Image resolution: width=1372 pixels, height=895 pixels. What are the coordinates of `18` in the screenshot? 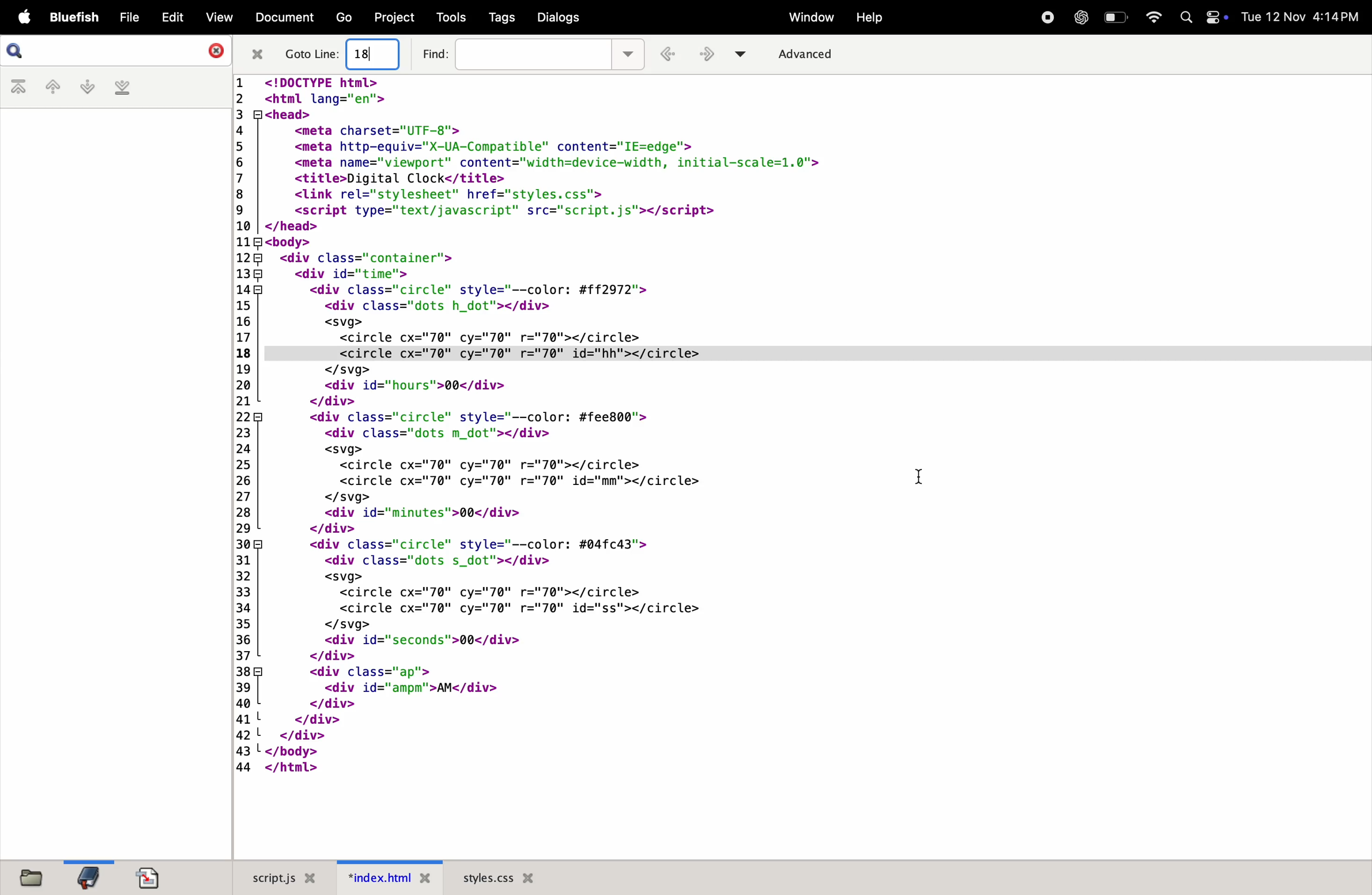 It's located at (365, 54).